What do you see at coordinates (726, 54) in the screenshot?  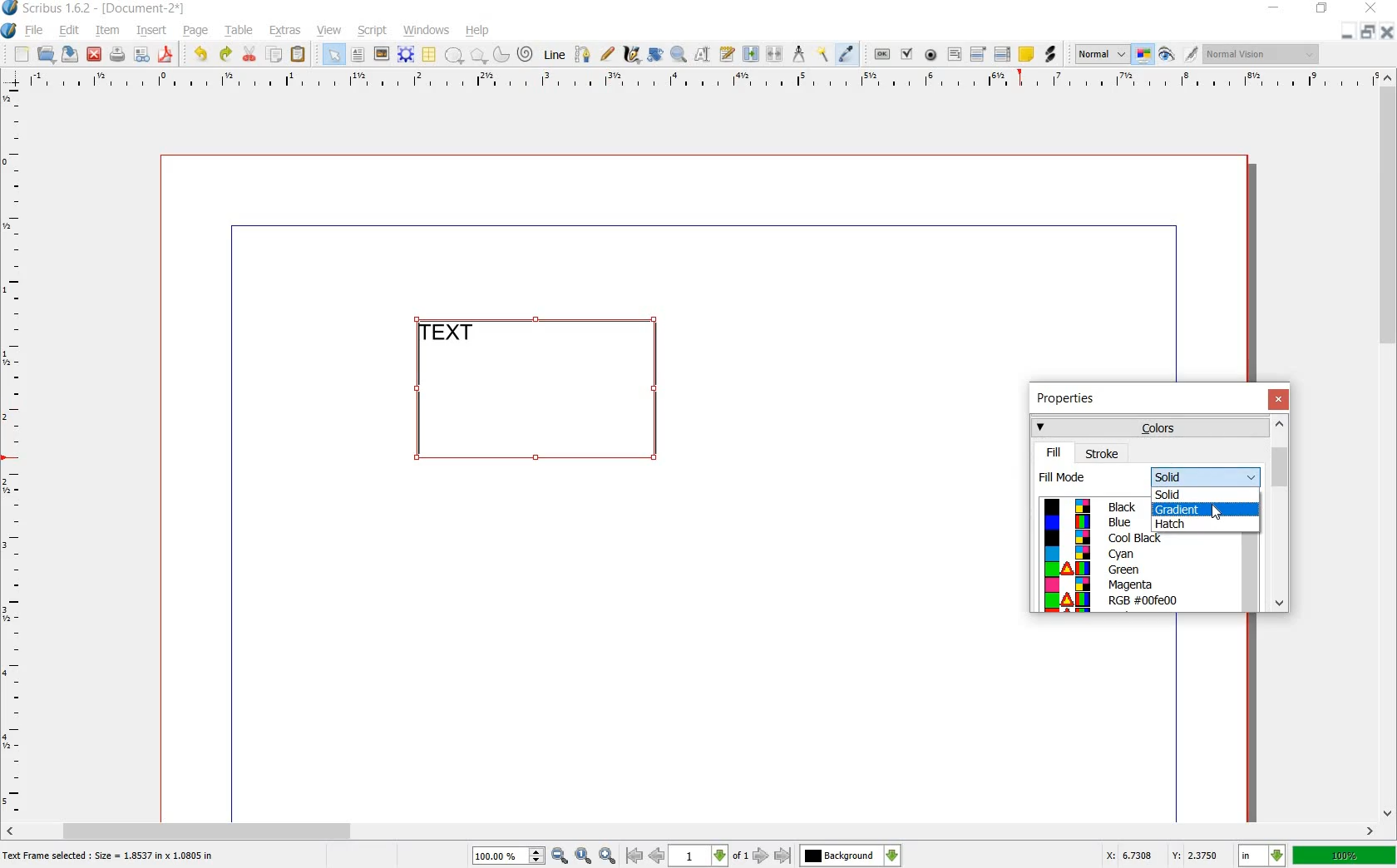 I see `edit text with story editor` at bounding box center [726, 54].